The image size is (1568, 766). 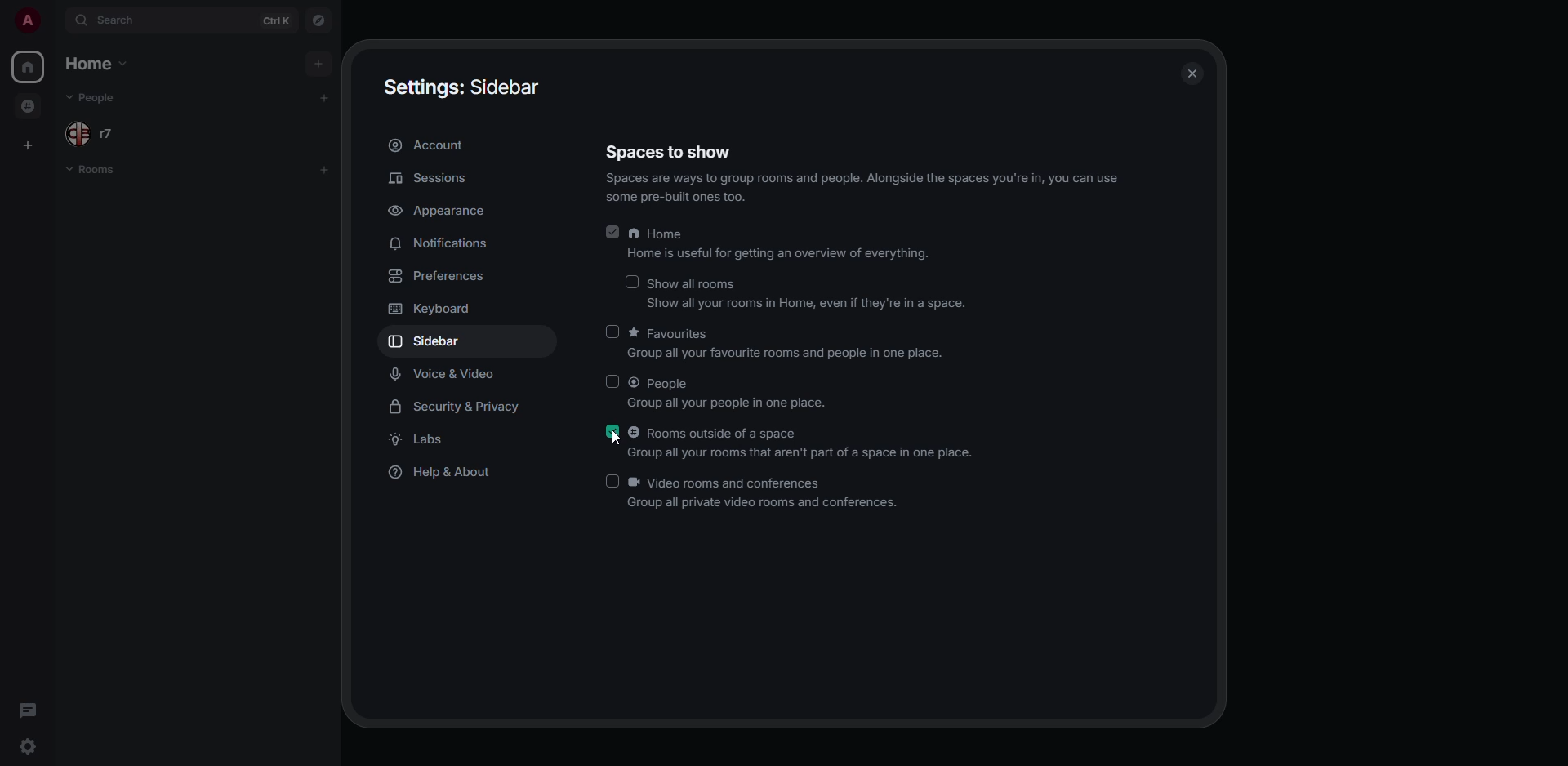 I want to click on notifications, so click(x=442, y=241).